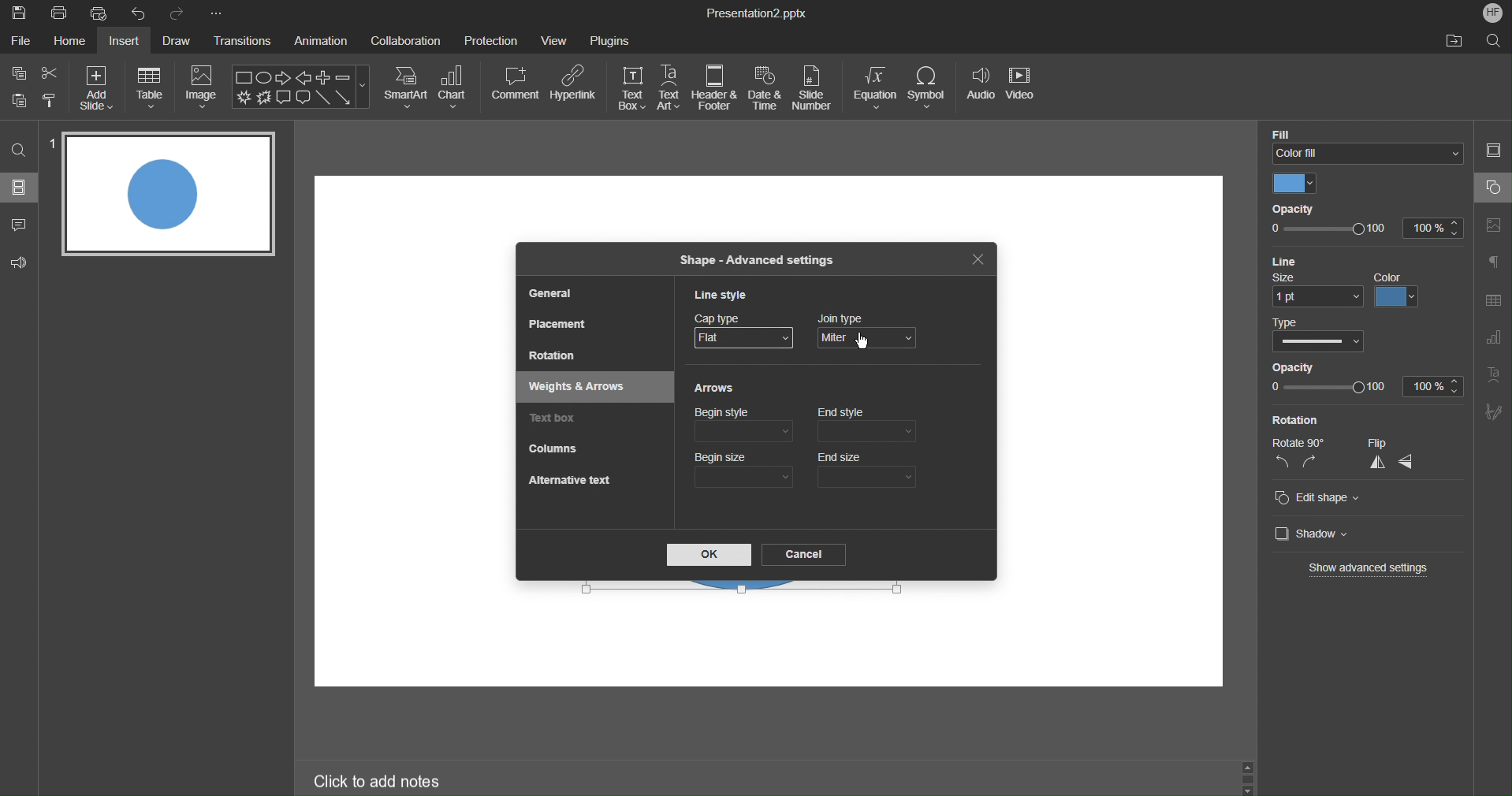 The height and width of the screenshot is (796, 1512). I want to click on View, so click(556, 40).